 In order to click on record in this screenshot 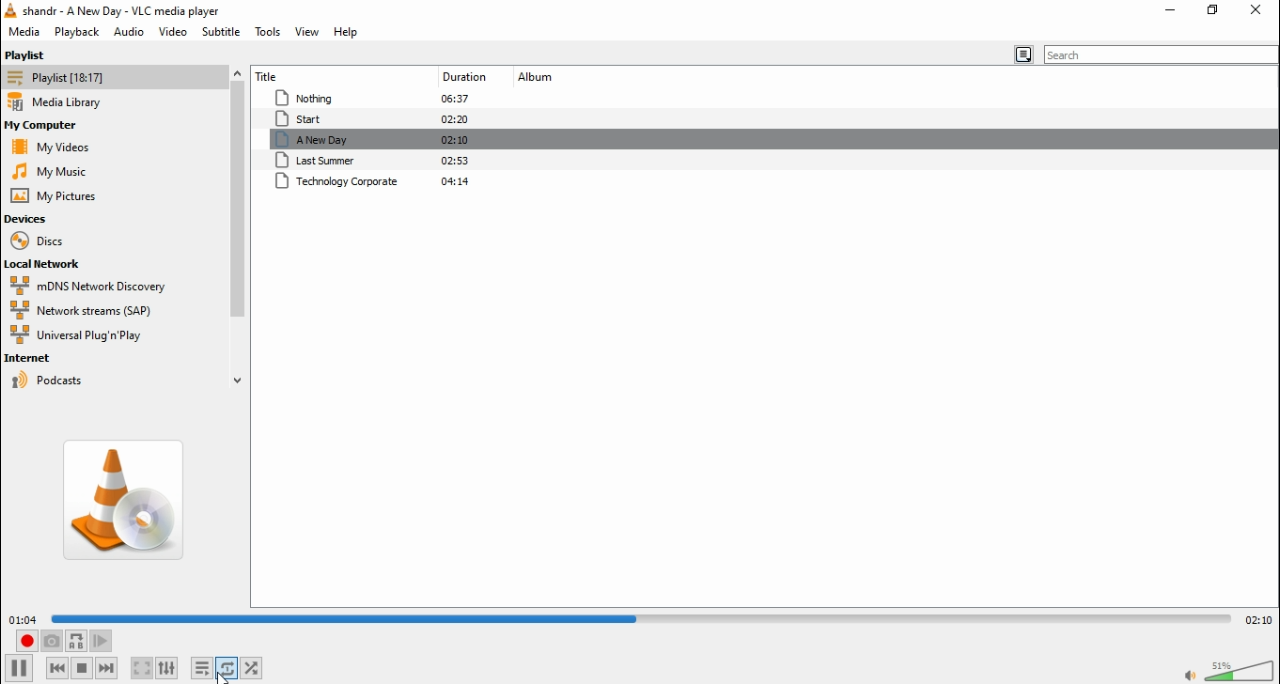, I will do `click(26, 642)`.